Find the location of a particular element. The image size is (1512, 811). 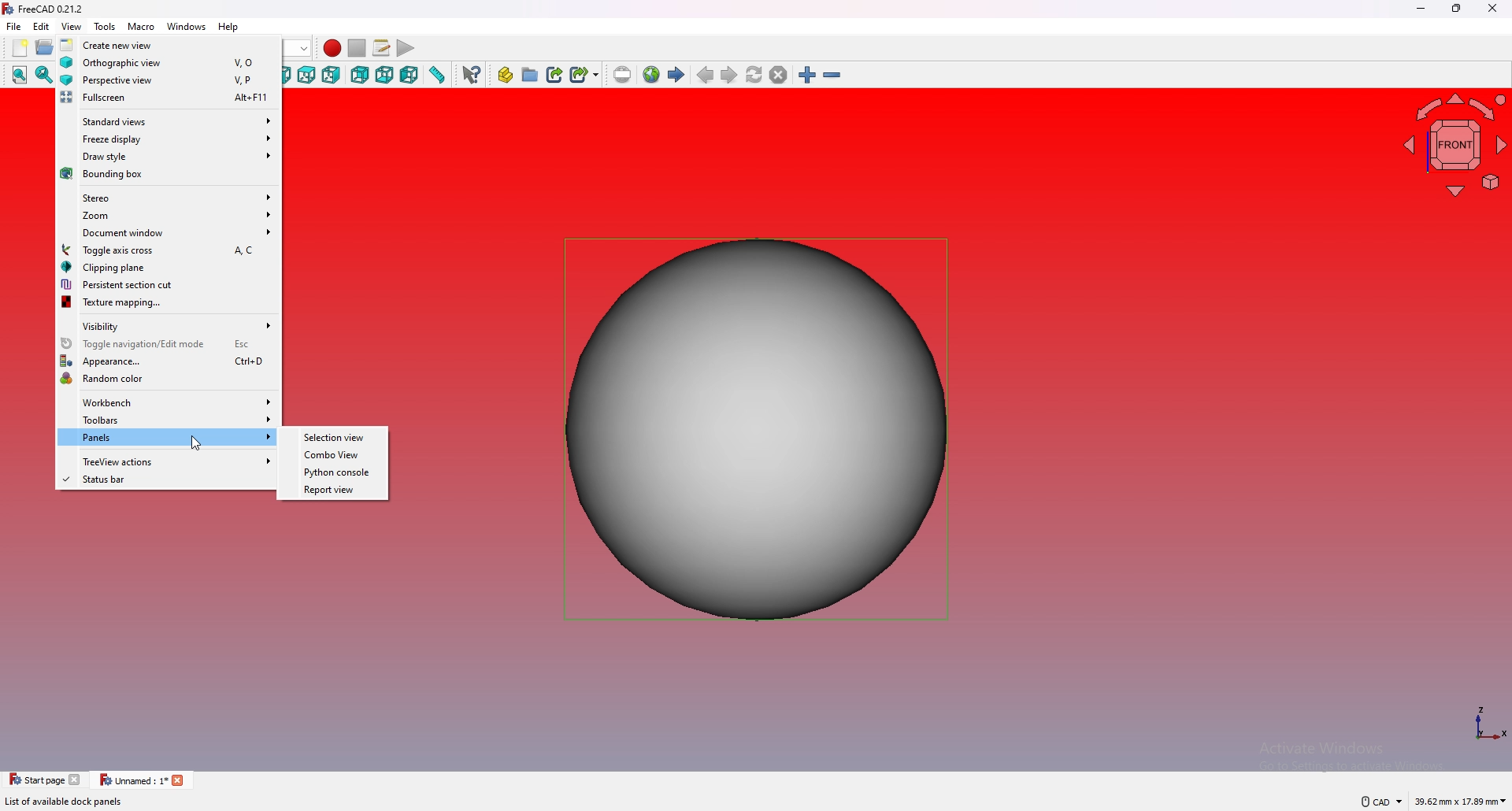

fullscreen is located at coordinates (167, 98).